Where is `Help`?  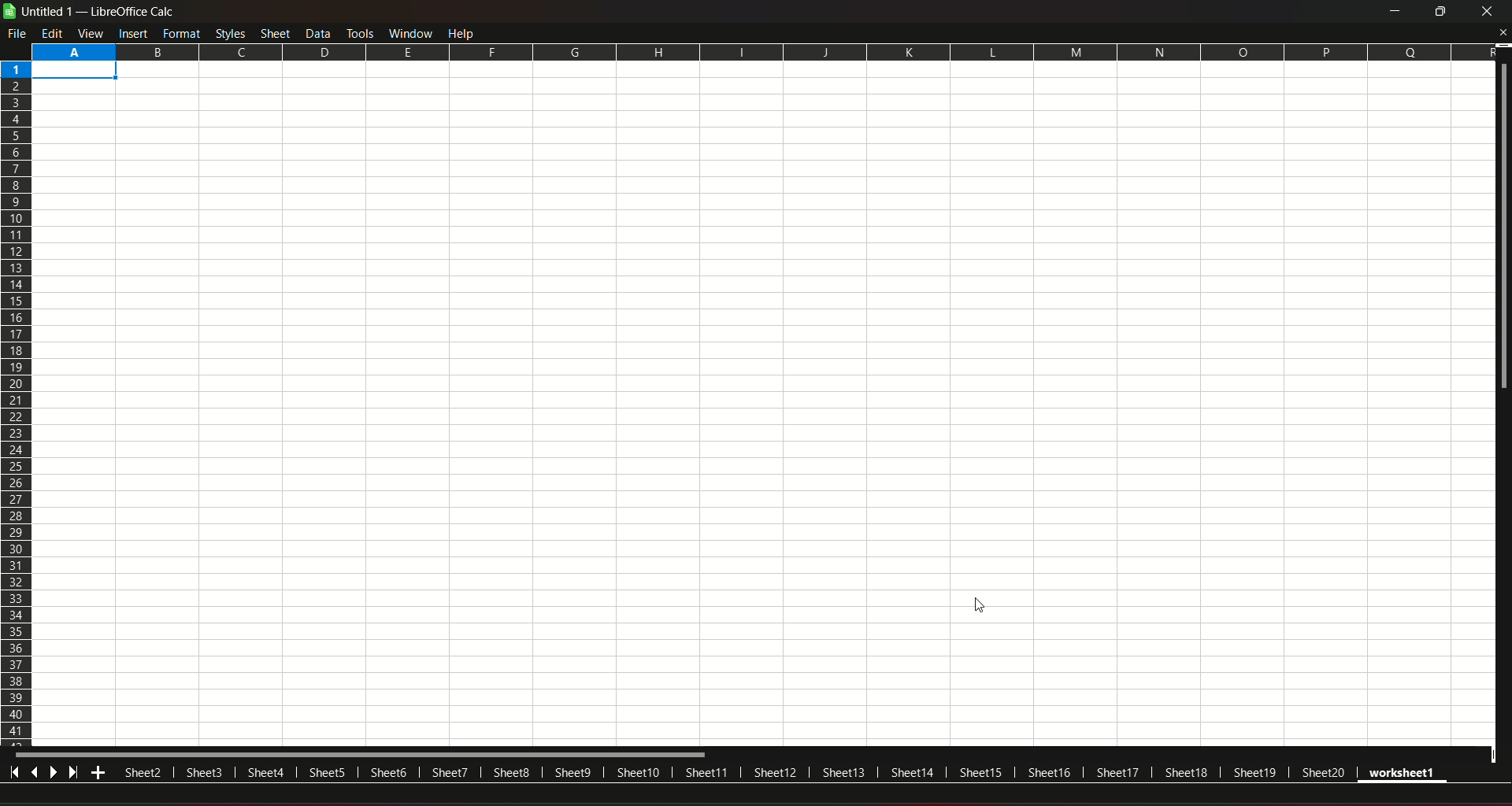
Help is located at coordinates (465, 32).